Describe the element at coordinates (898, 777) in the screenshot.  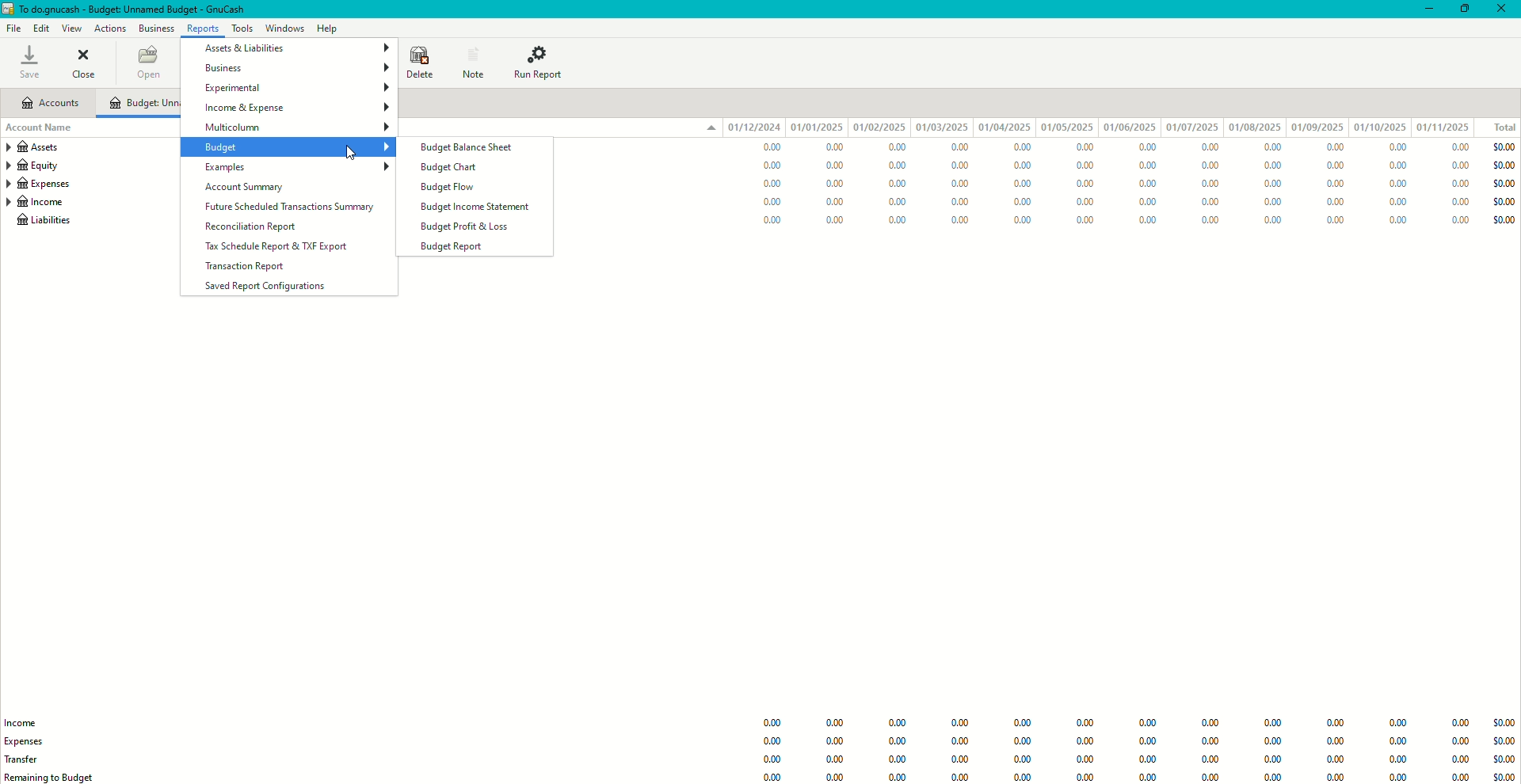
I see `0.00` at that location.